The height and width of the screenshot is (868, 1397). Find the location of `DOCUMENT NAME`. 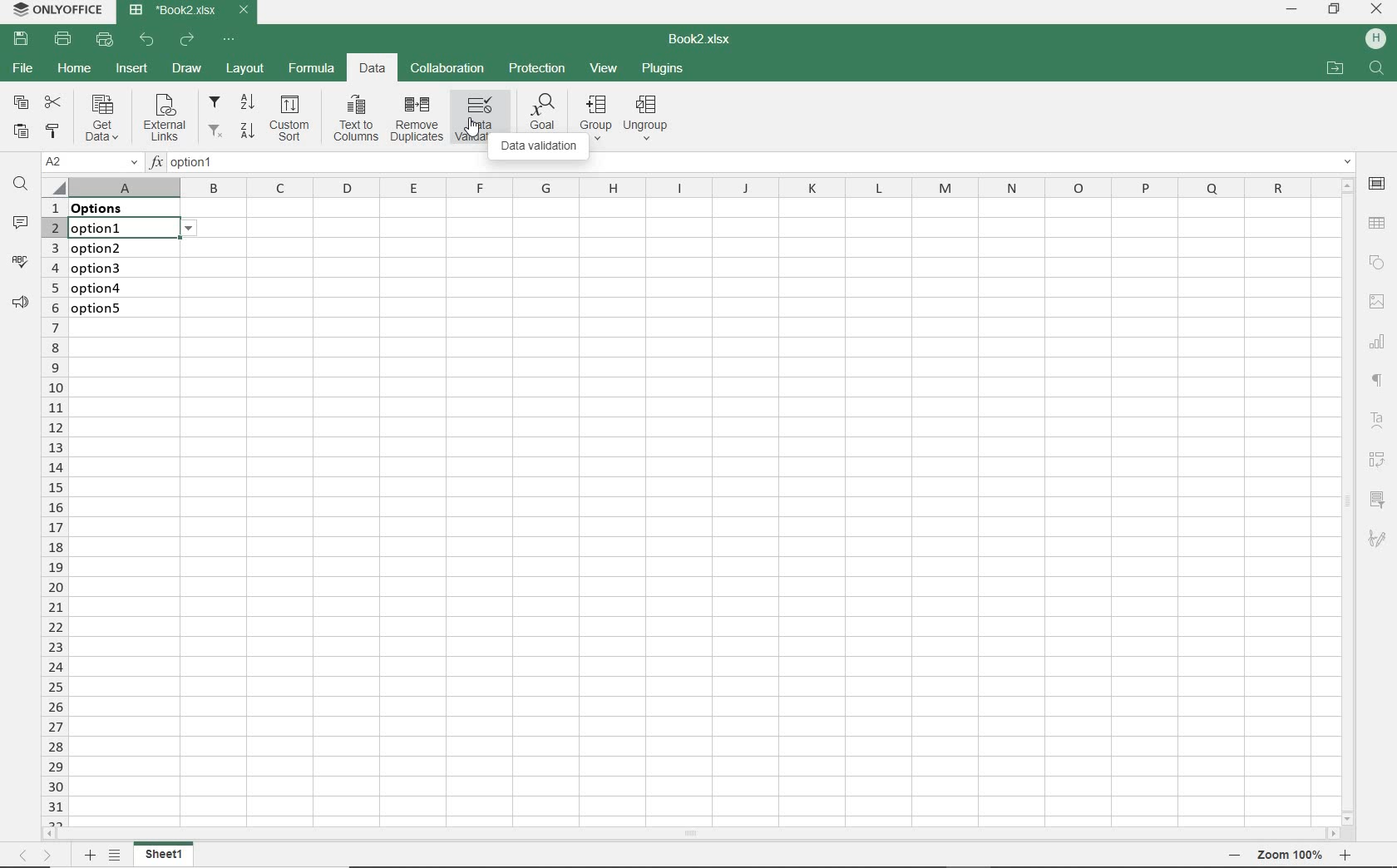

DOCUMENT NAME is located at coordinates (708, 40).